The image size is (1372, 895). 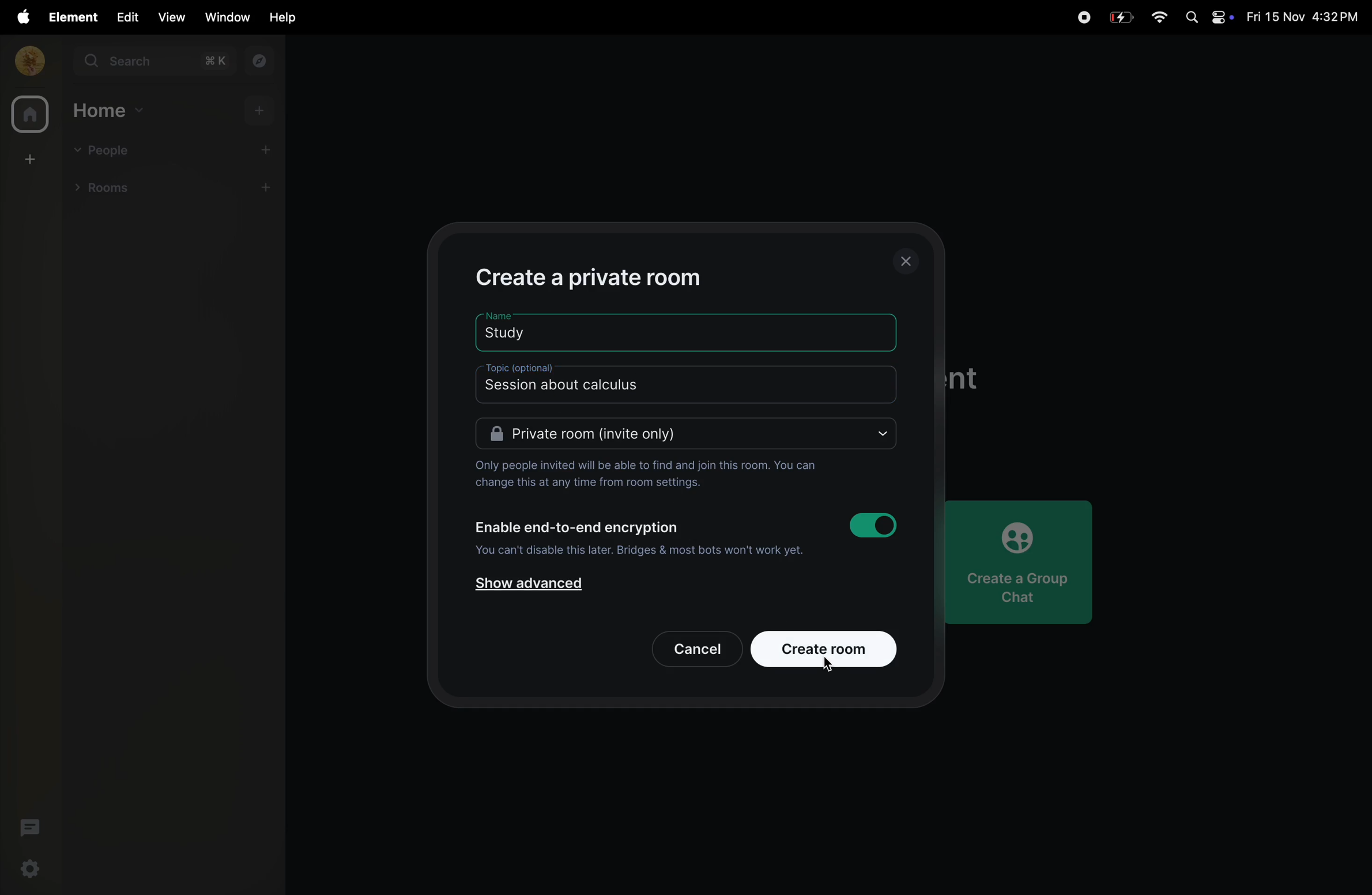 I want to click on create room, so click(x=28, y=160).